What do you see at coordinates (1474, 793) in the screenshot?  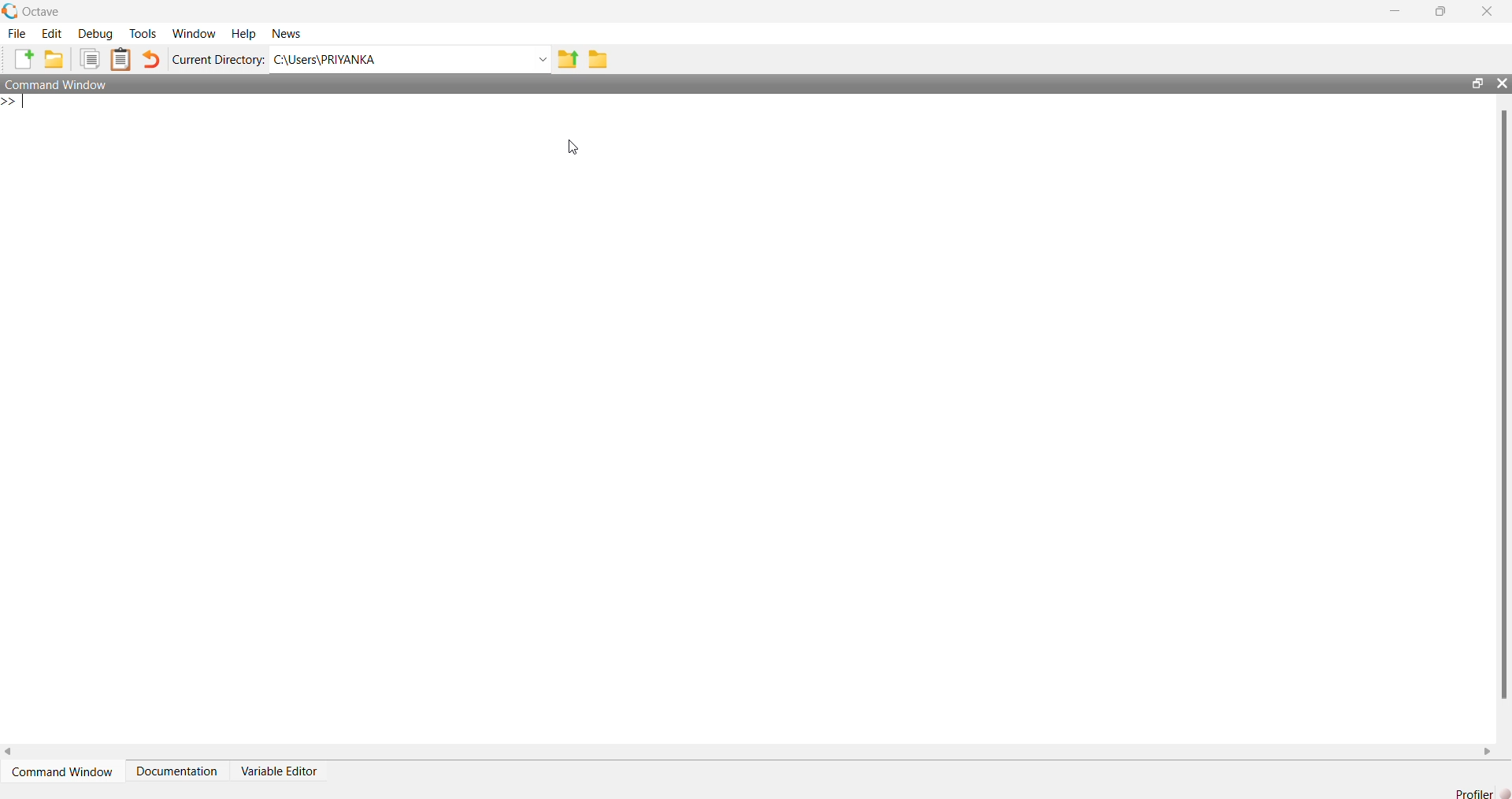 I see `Profiler` at bounding box center [1474, 793].